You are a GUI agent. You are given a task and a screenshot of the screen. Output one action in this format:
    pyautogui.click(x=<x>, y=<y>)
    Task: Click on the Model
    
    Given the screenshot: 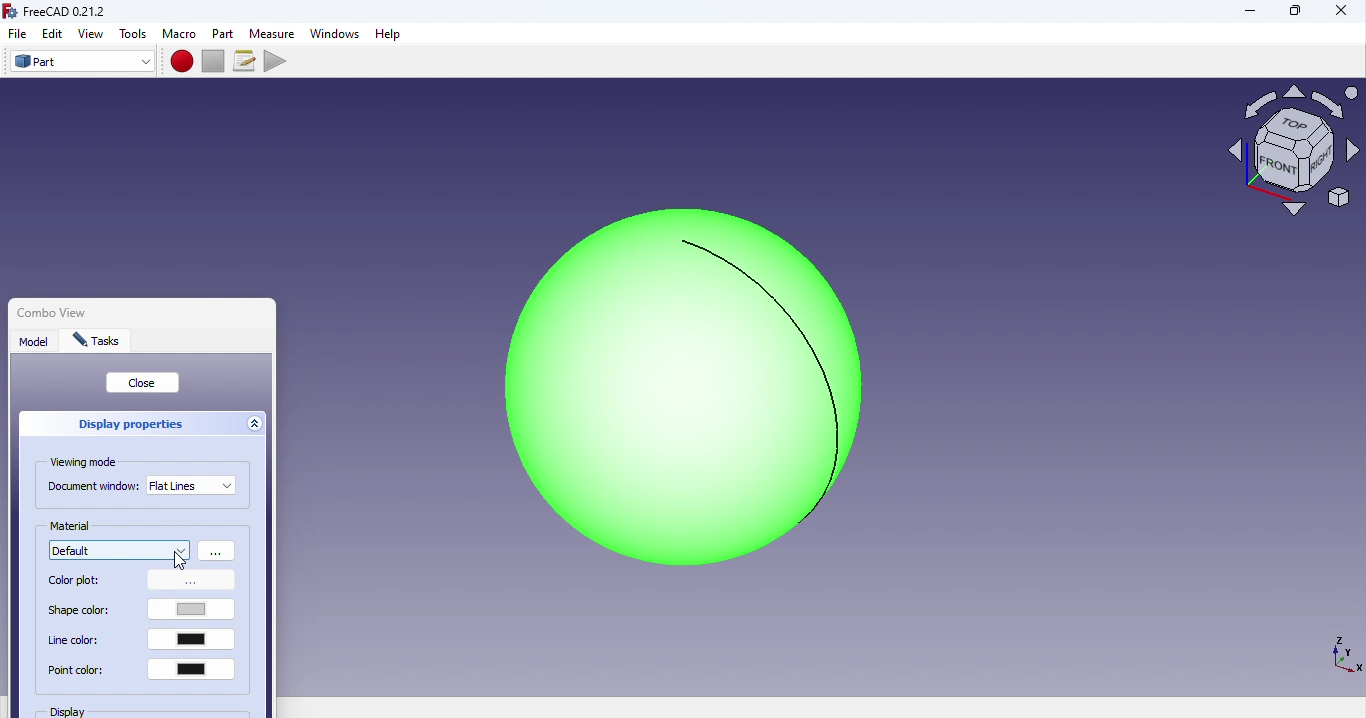 What is the action you would take?
    pyautogui.click(x=35, y=344)
    